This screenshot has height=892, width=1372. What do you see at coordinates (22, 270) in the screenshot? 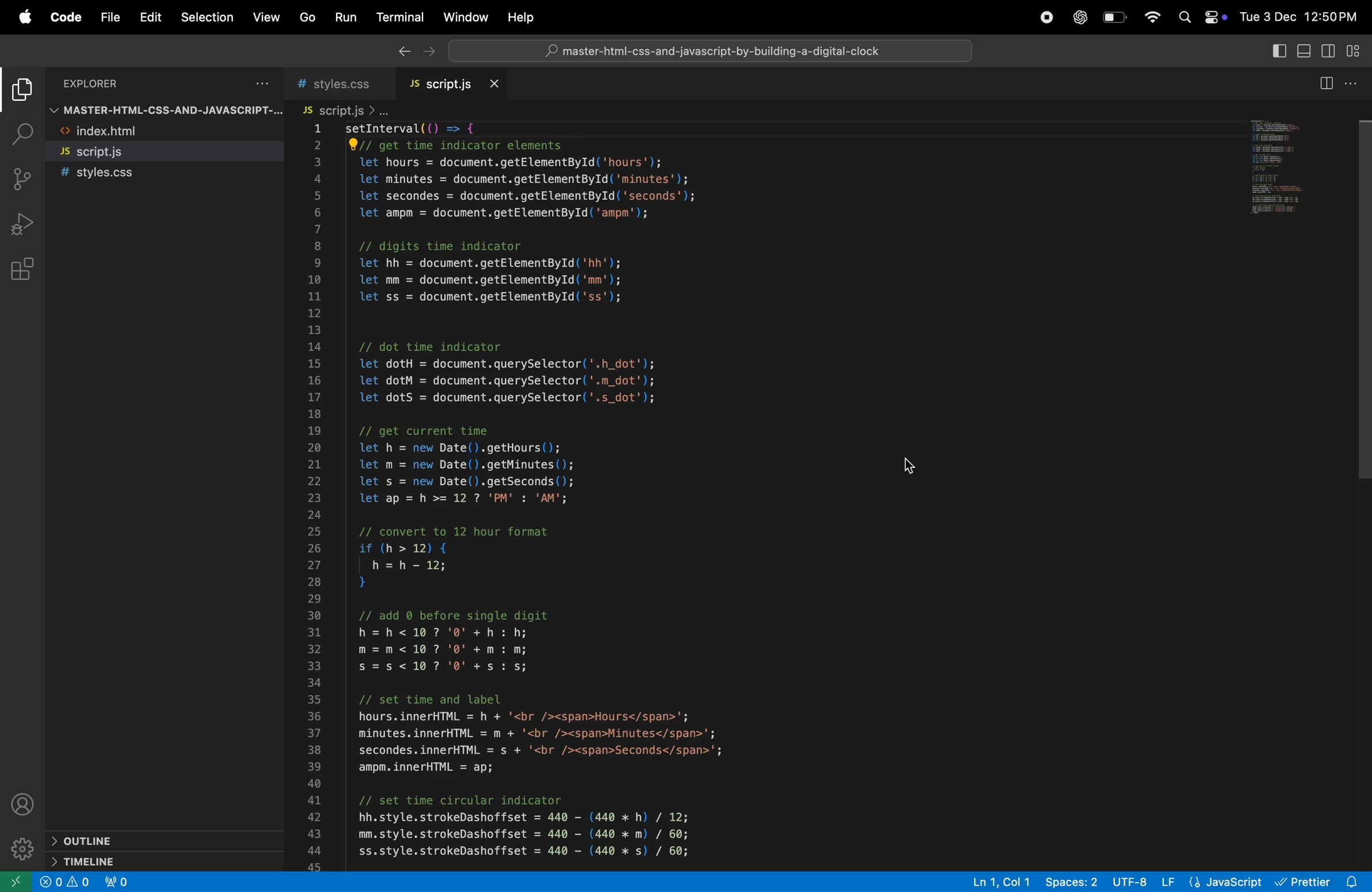
I see `extensions` at bounding box center [22, 270].